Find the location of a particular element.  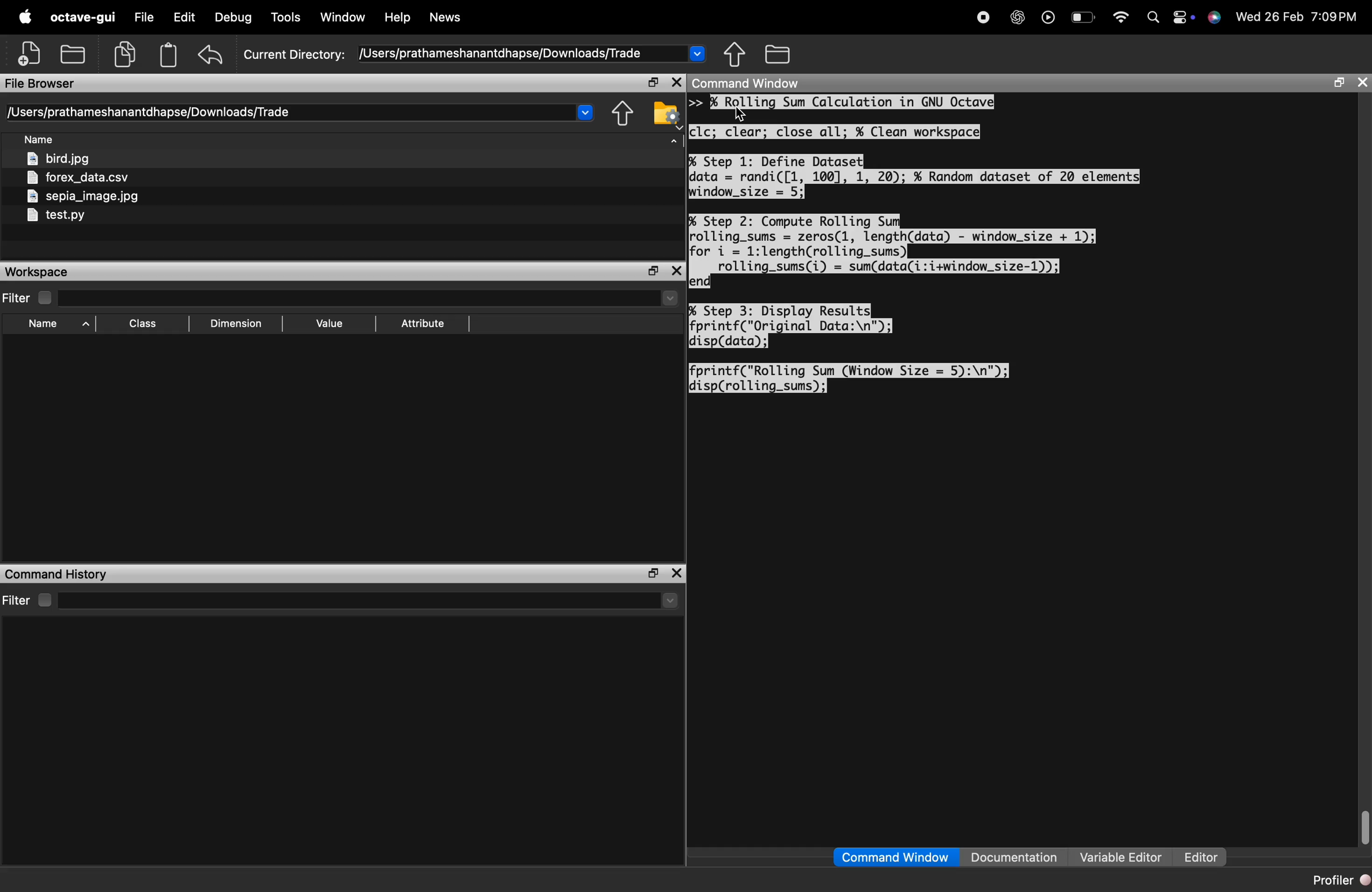

window is located at coordinates (344, 18).